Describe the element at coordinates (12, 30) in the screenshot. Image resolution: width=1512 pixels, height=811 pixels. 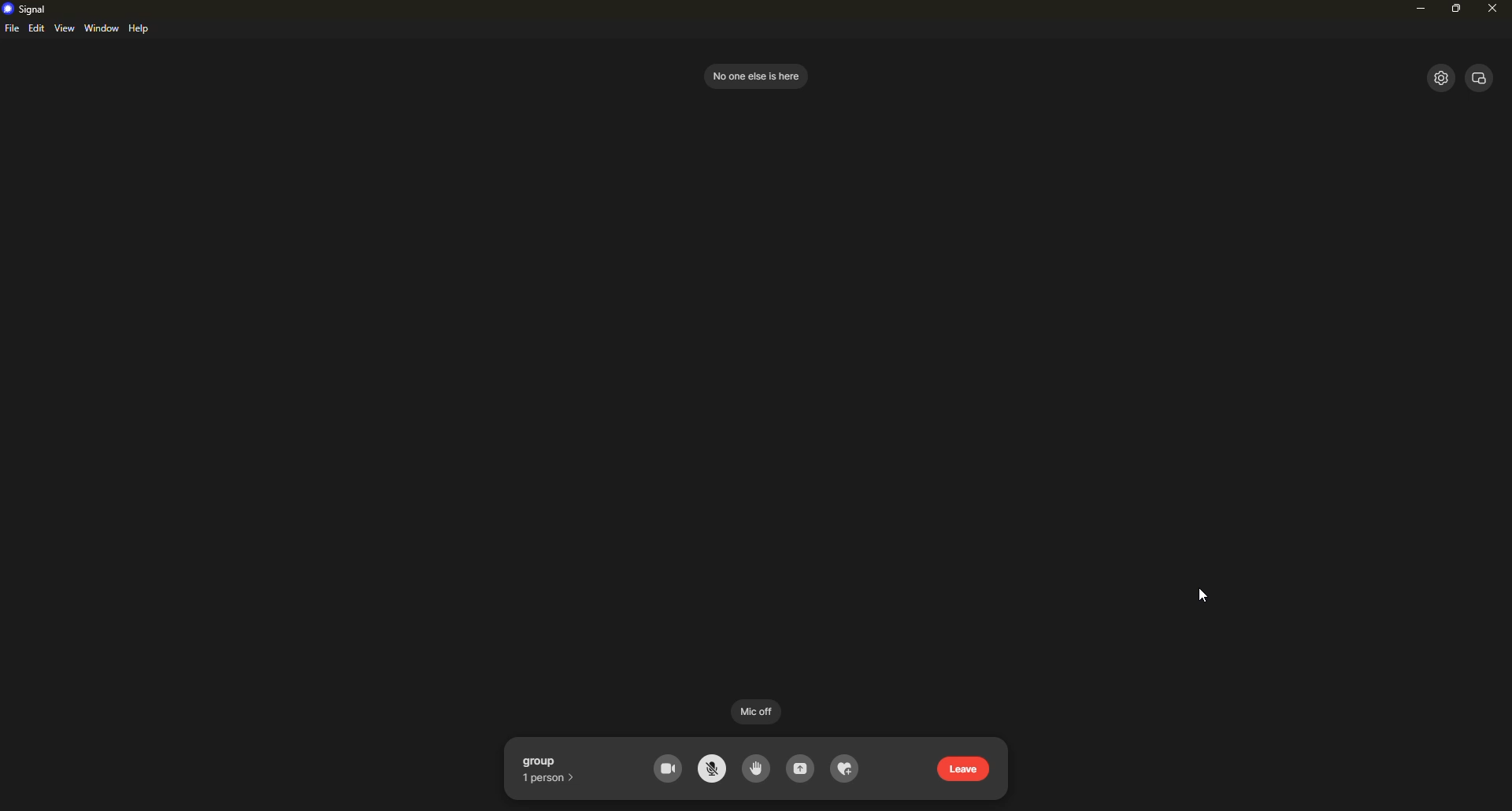
I see `file` at that location.